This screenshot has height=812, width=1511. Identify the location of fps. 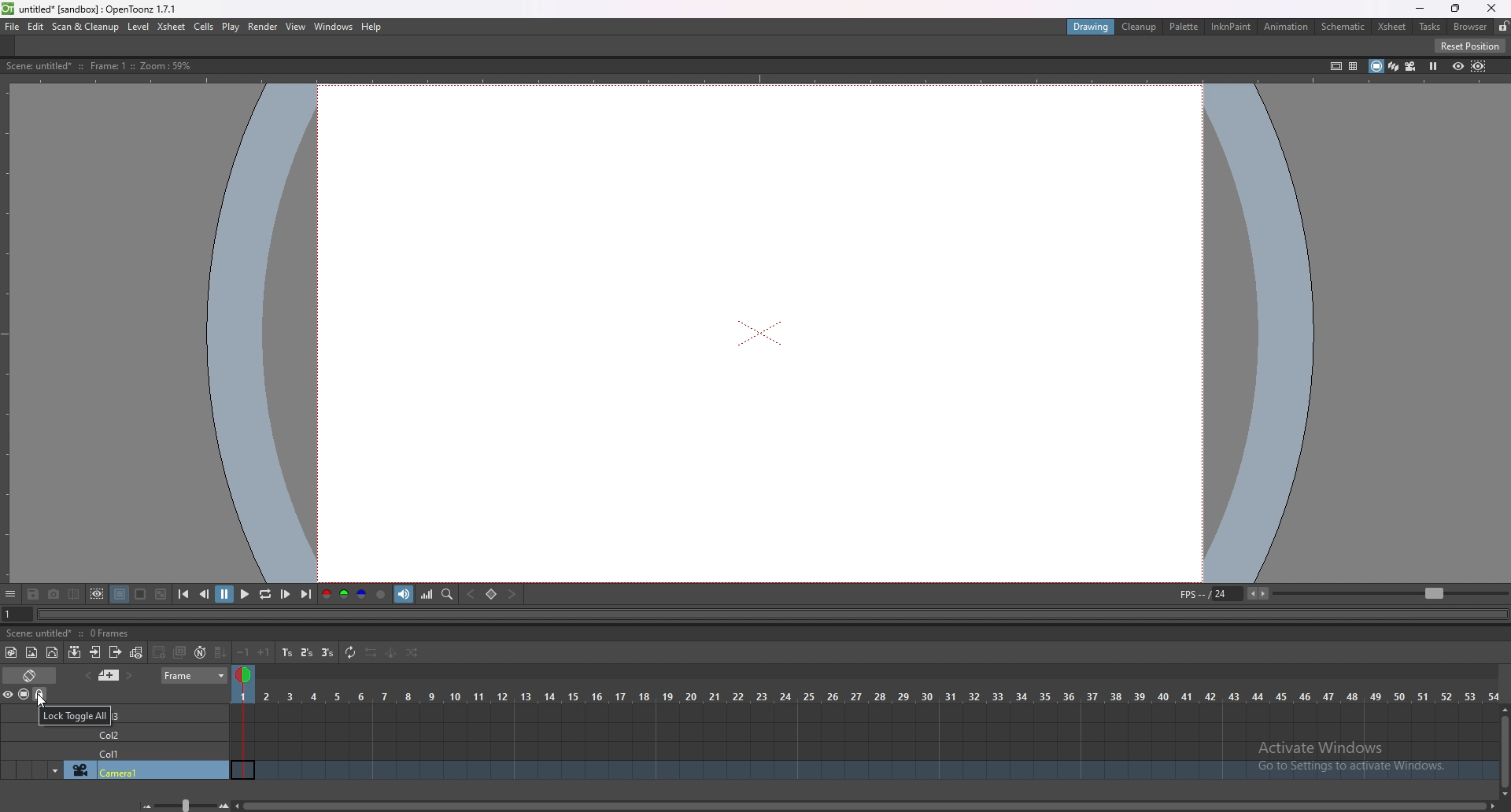
(1226, 593).